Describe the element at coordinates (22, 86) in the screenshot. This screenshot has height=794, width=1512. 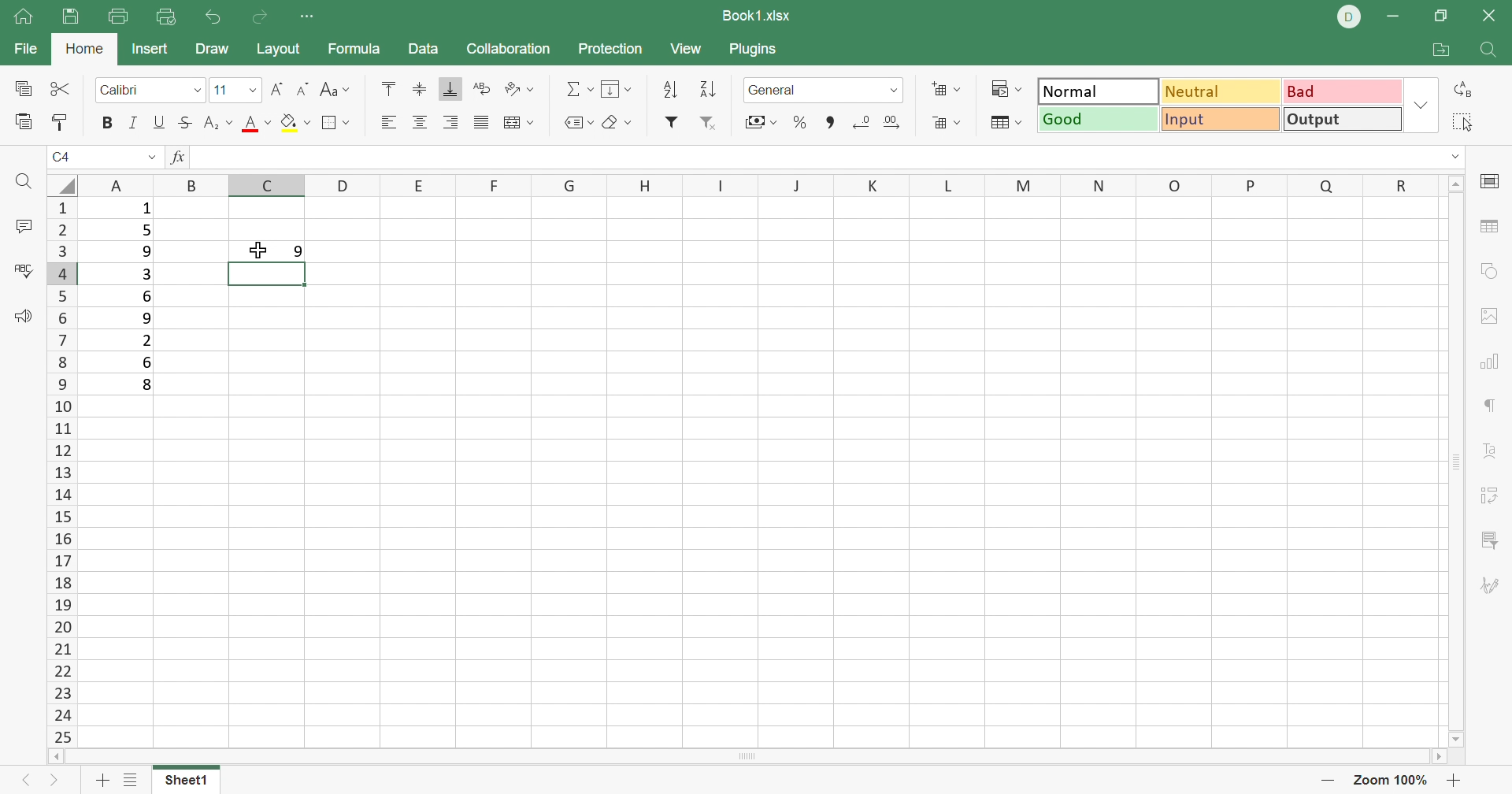
I see `Copy` at that location.